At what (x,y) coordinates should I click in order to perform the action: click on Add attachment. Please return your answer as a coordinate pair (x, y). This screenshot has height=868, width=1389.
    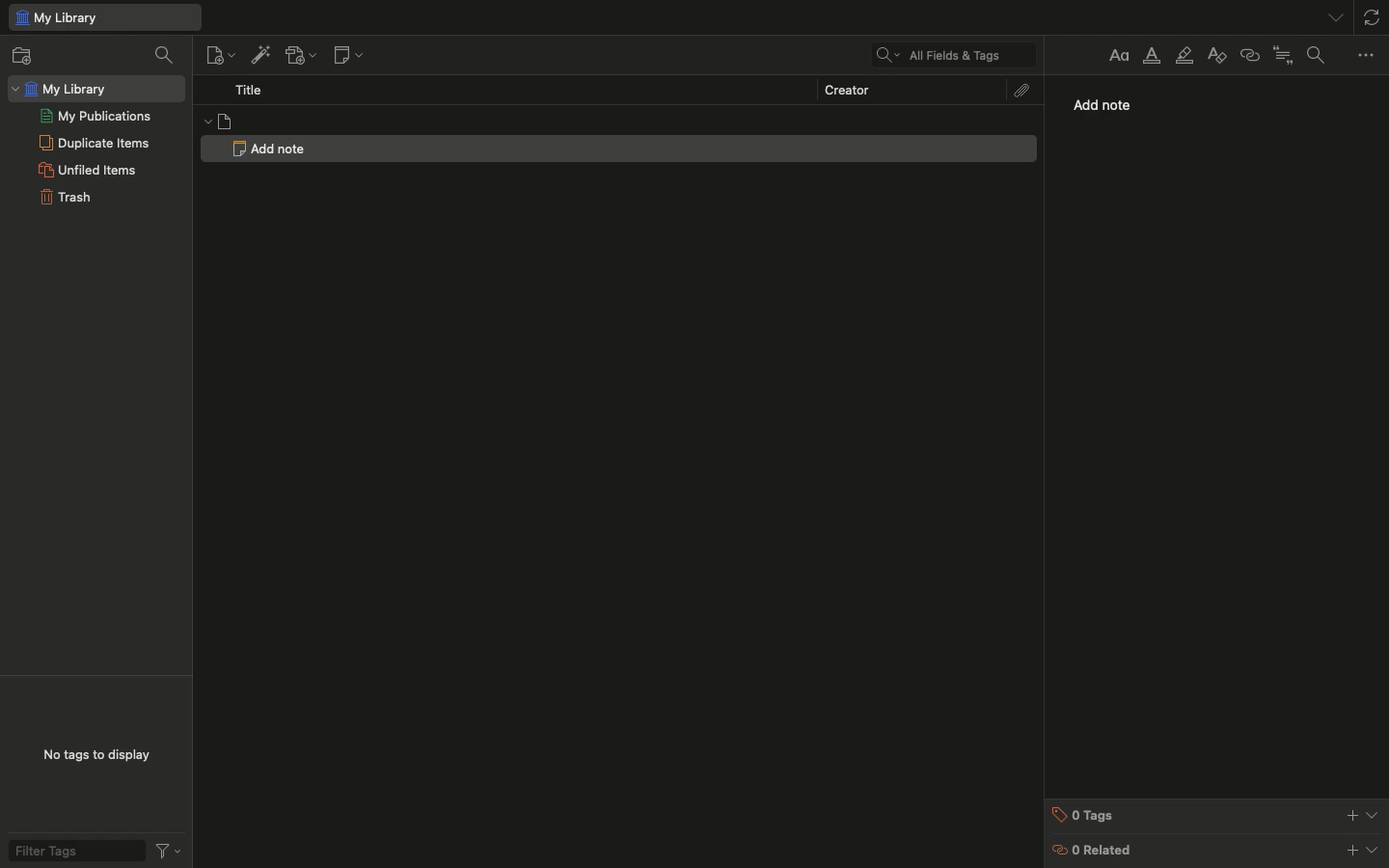
    Looking at the image, I should click on (301, 55).